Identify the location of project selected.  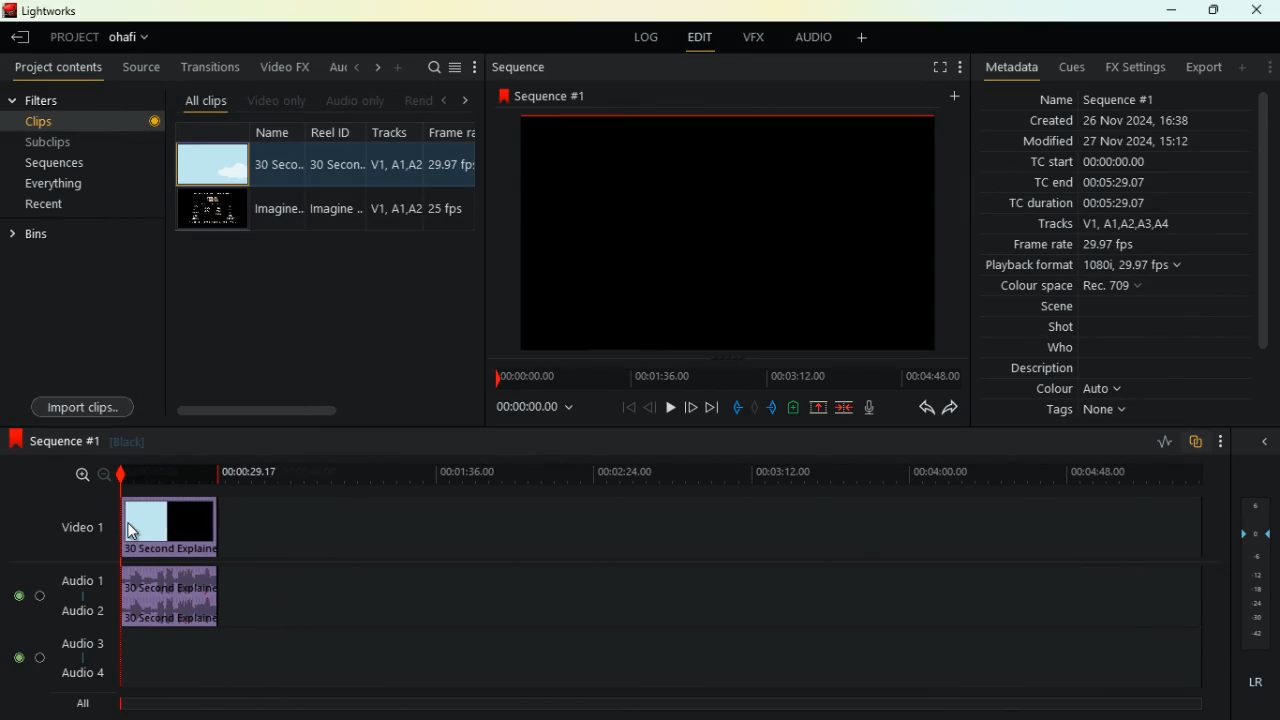
(102, 36).